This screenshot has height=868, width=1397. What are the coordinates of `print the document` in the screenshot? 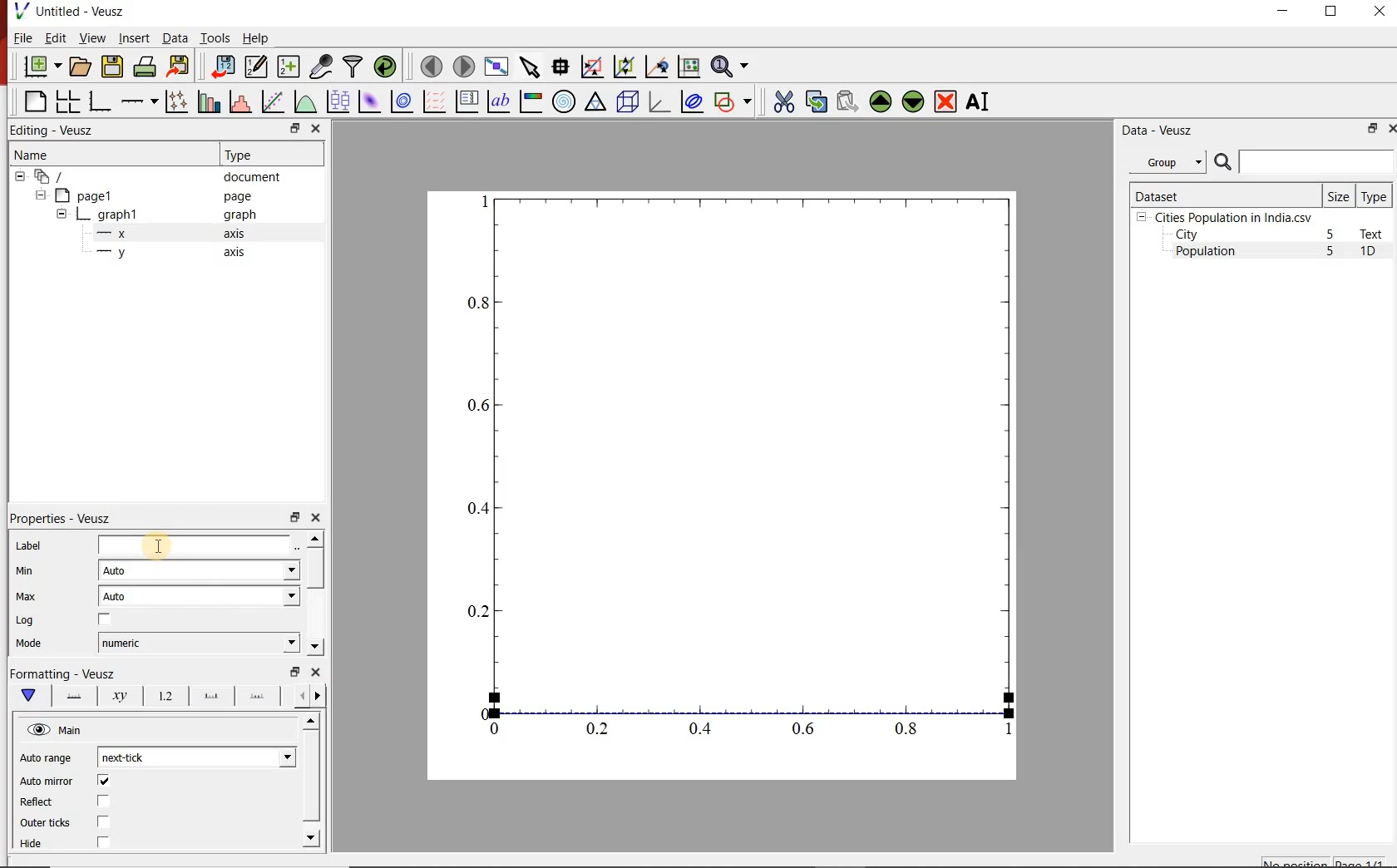 It's located at (144, 67).